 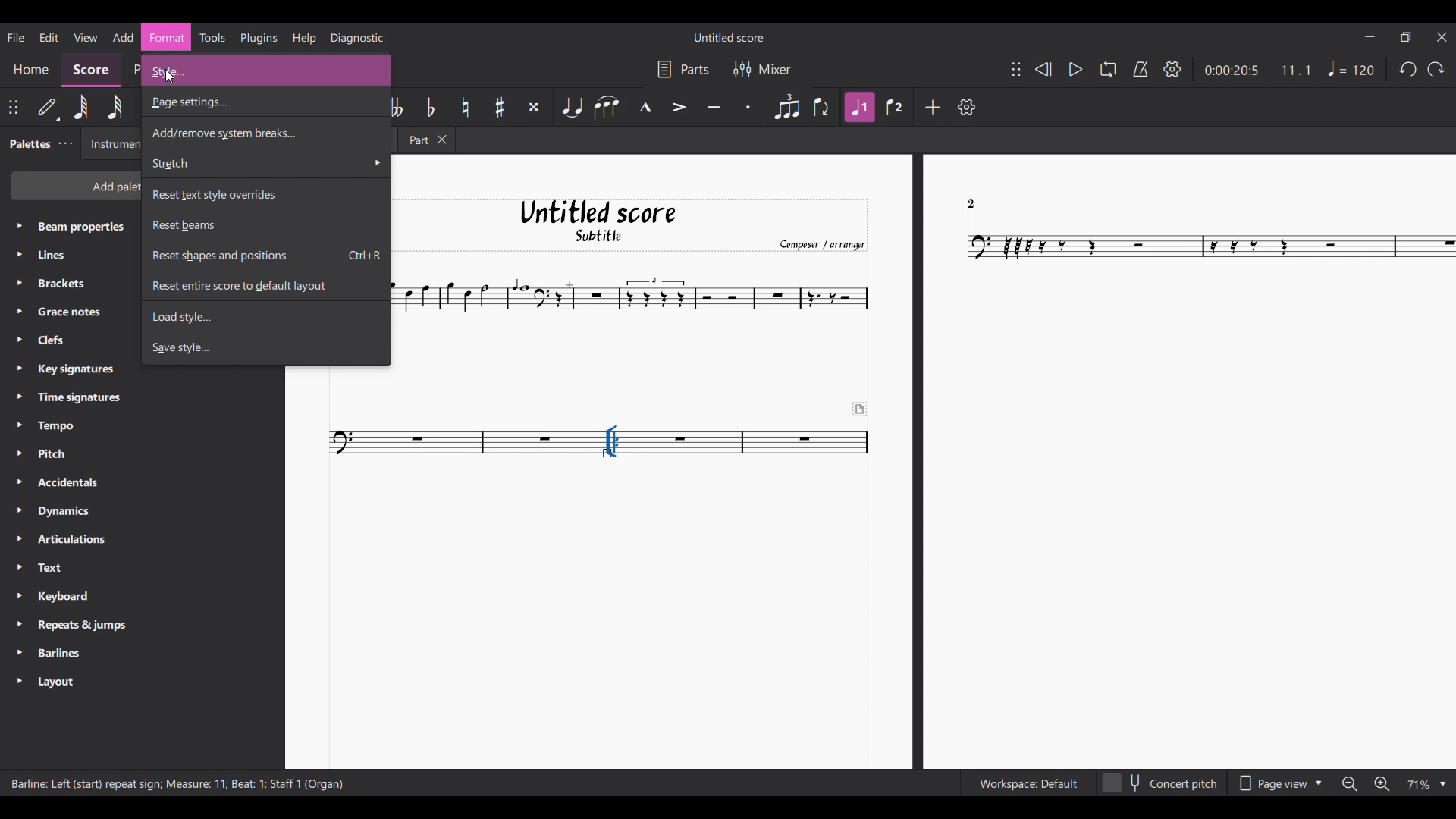 What do you see at coordinates (86, 38) in the screenshot?
I see `View menu` at bounding box center [86, 38].